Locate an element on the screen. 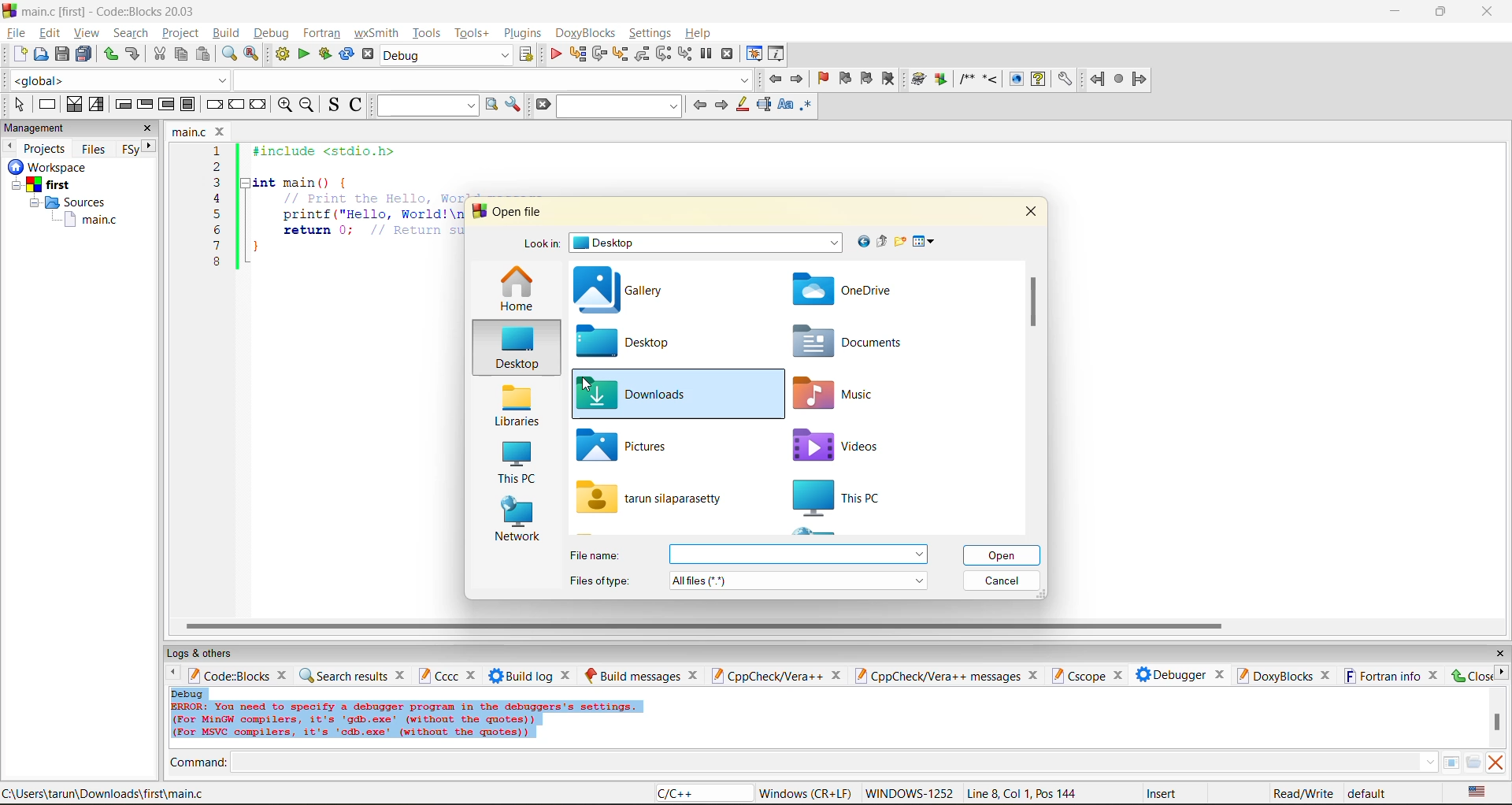 The height and width of the screenshot is (805, 1512). select is located at coordinates (19, 104).